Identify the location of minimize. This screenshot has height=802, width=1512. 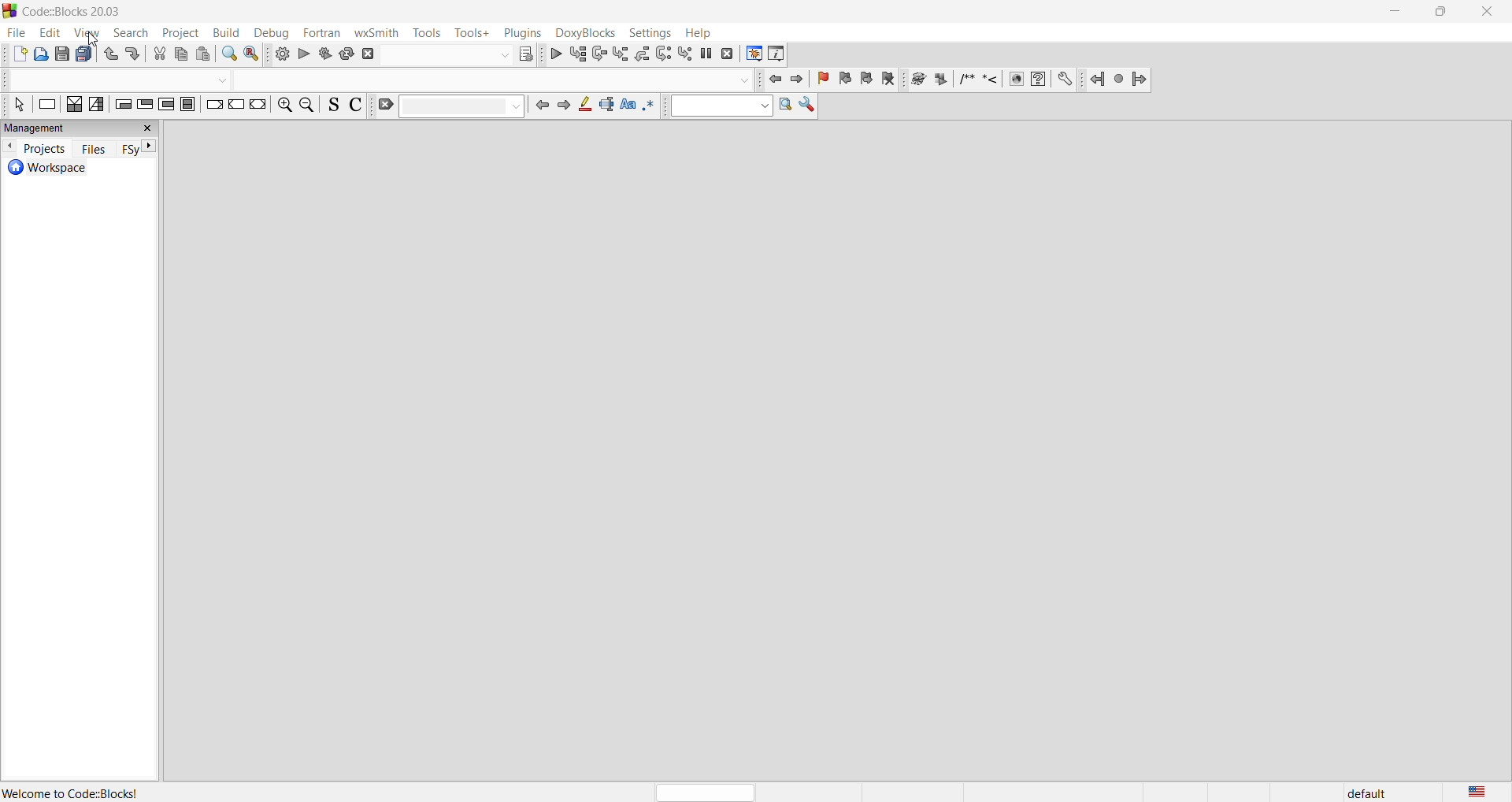
(1397, 9).